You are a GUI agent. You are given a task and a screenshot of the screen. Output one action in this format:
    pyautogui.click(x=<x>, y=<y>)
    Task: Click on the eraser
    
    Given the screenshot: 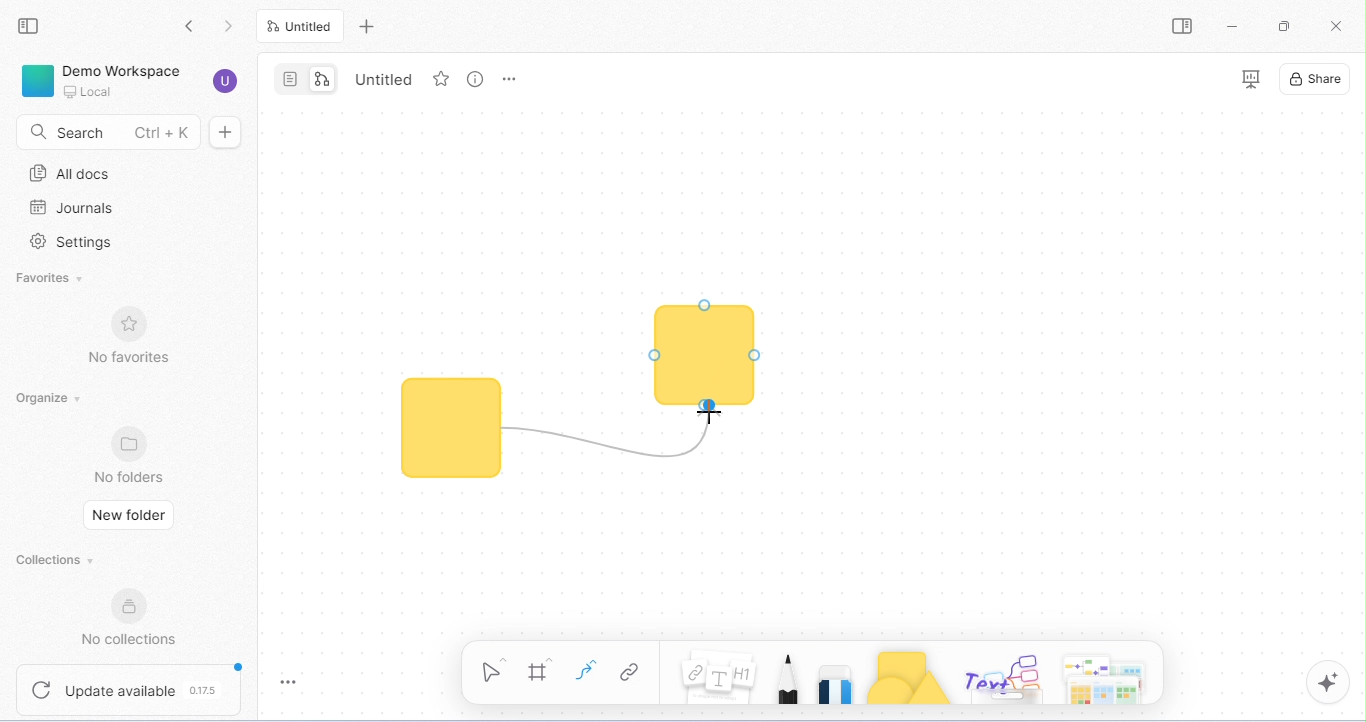 What is the action you would take?
    pyautogui.click(x=838, y=677)
    